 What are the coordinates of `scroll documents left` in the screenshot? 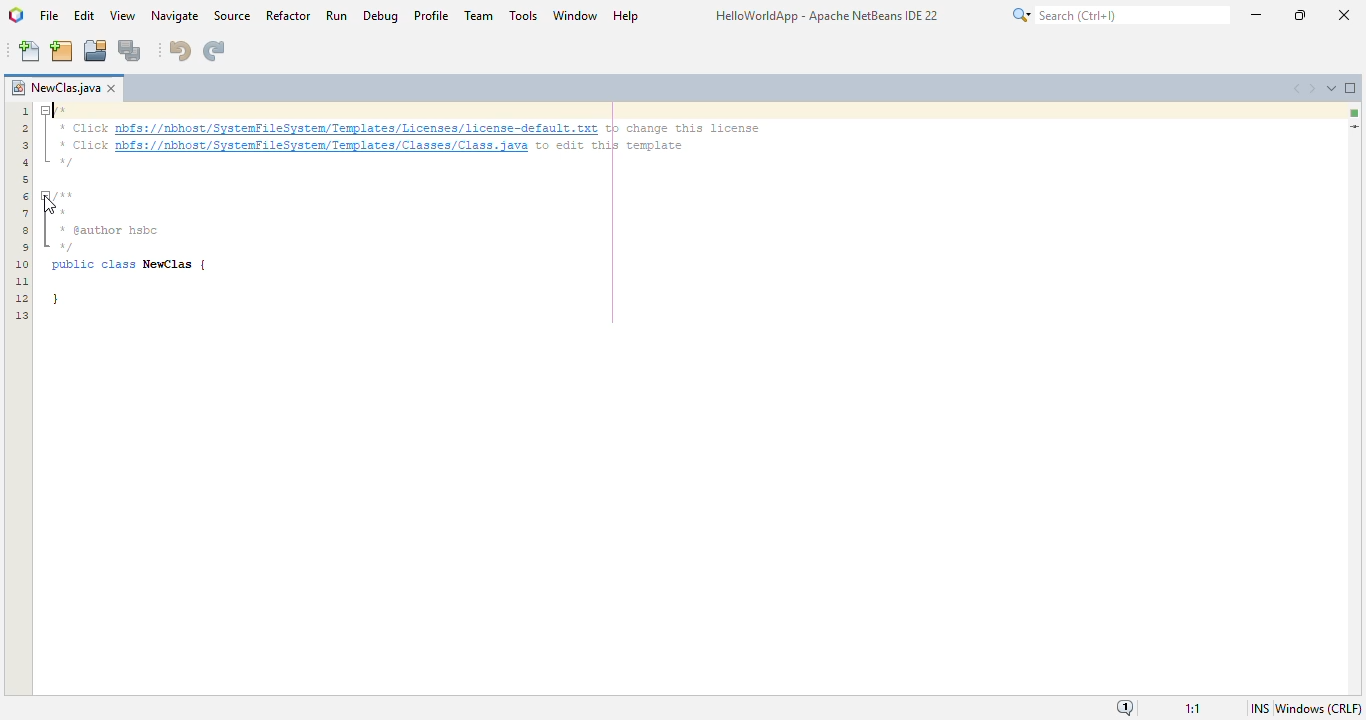 It's located at (1298, 88).